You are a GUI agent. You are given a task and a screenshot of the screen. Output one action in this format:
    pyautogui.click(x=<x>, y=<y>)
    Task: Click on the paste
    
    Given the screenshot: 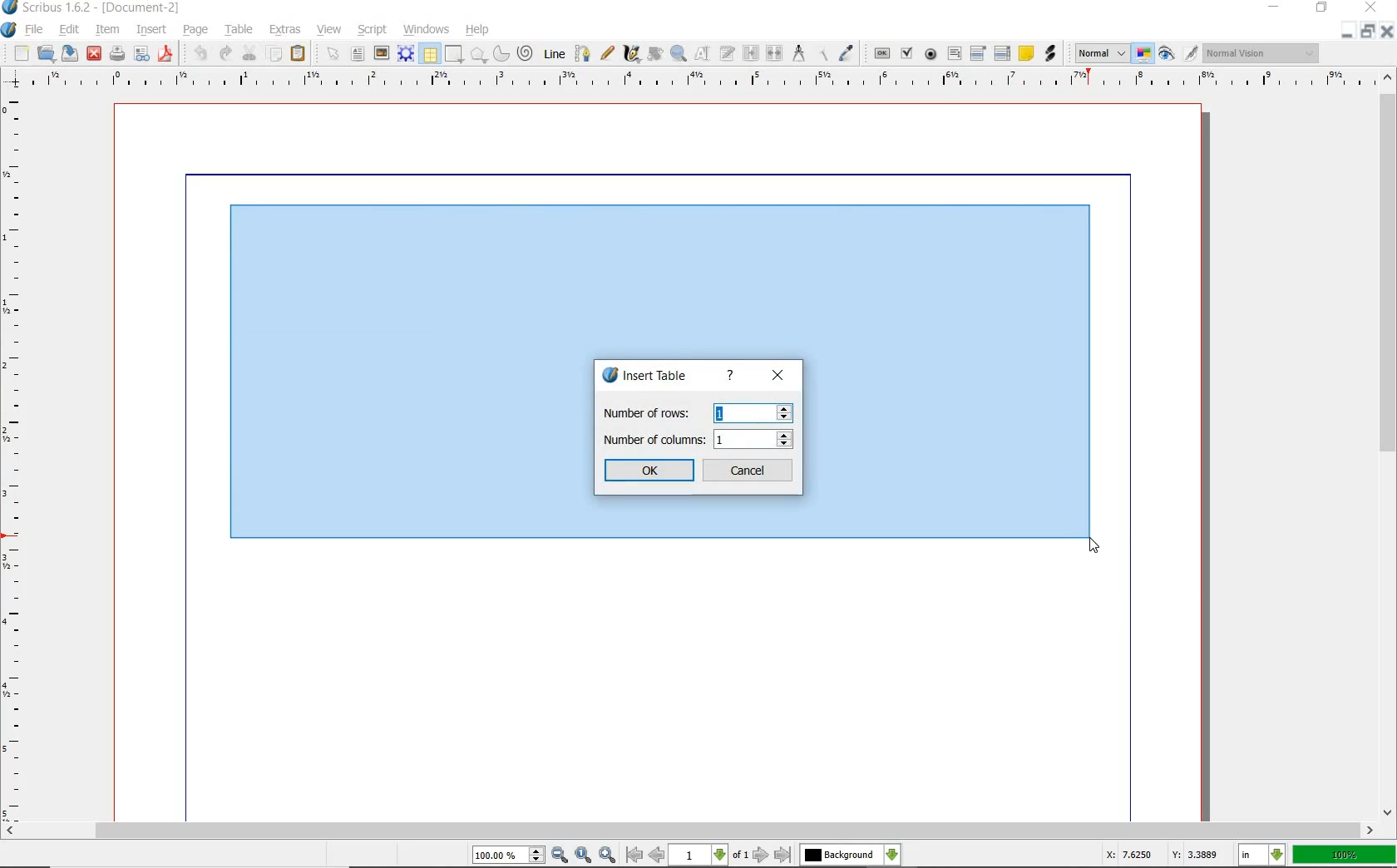 What is the action you would take?
    pyautogui.click(x=299, y=55)
    